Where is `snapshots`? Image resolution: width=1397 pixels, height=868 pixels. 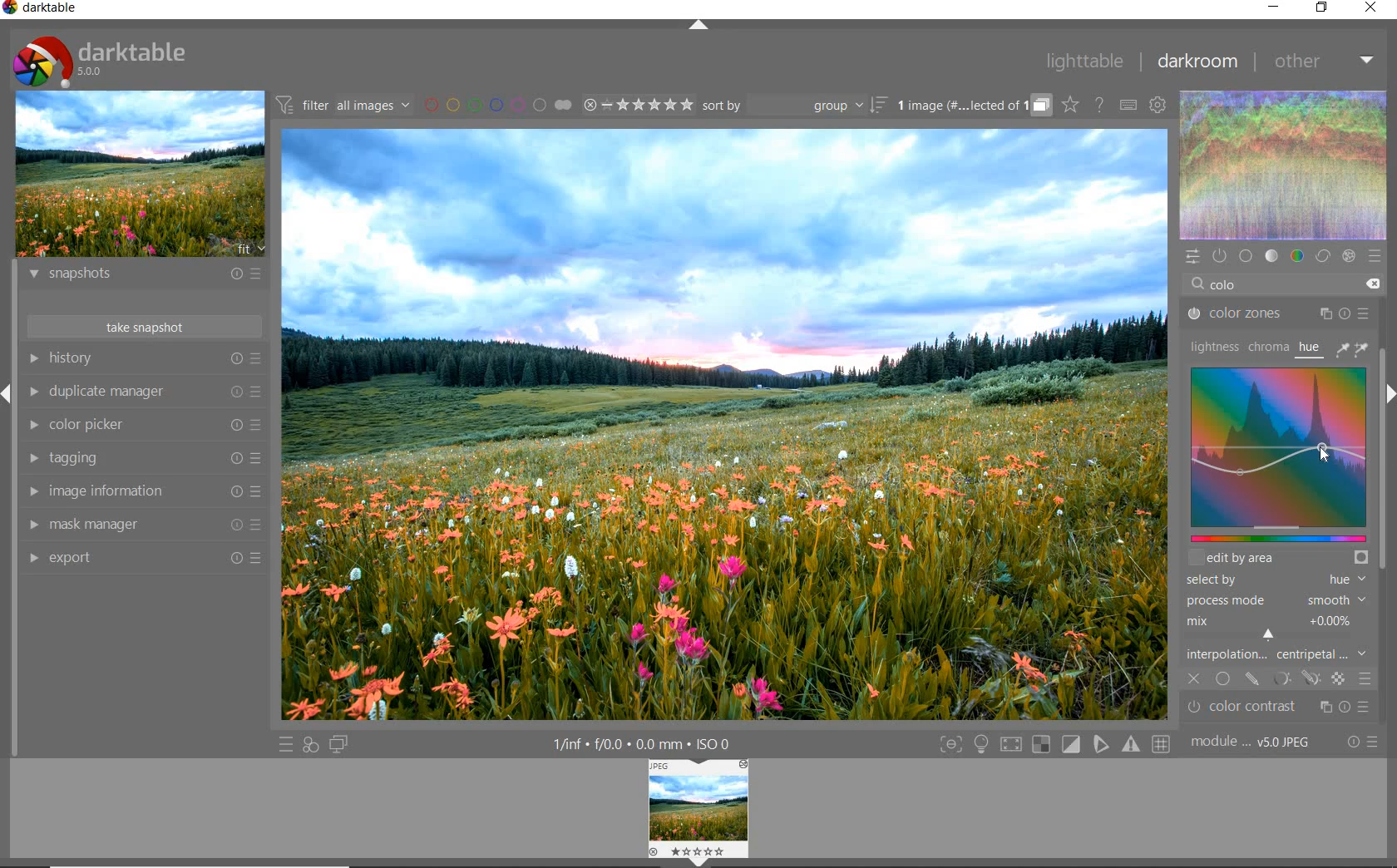 snapshots is located at coordinates (141, 277).